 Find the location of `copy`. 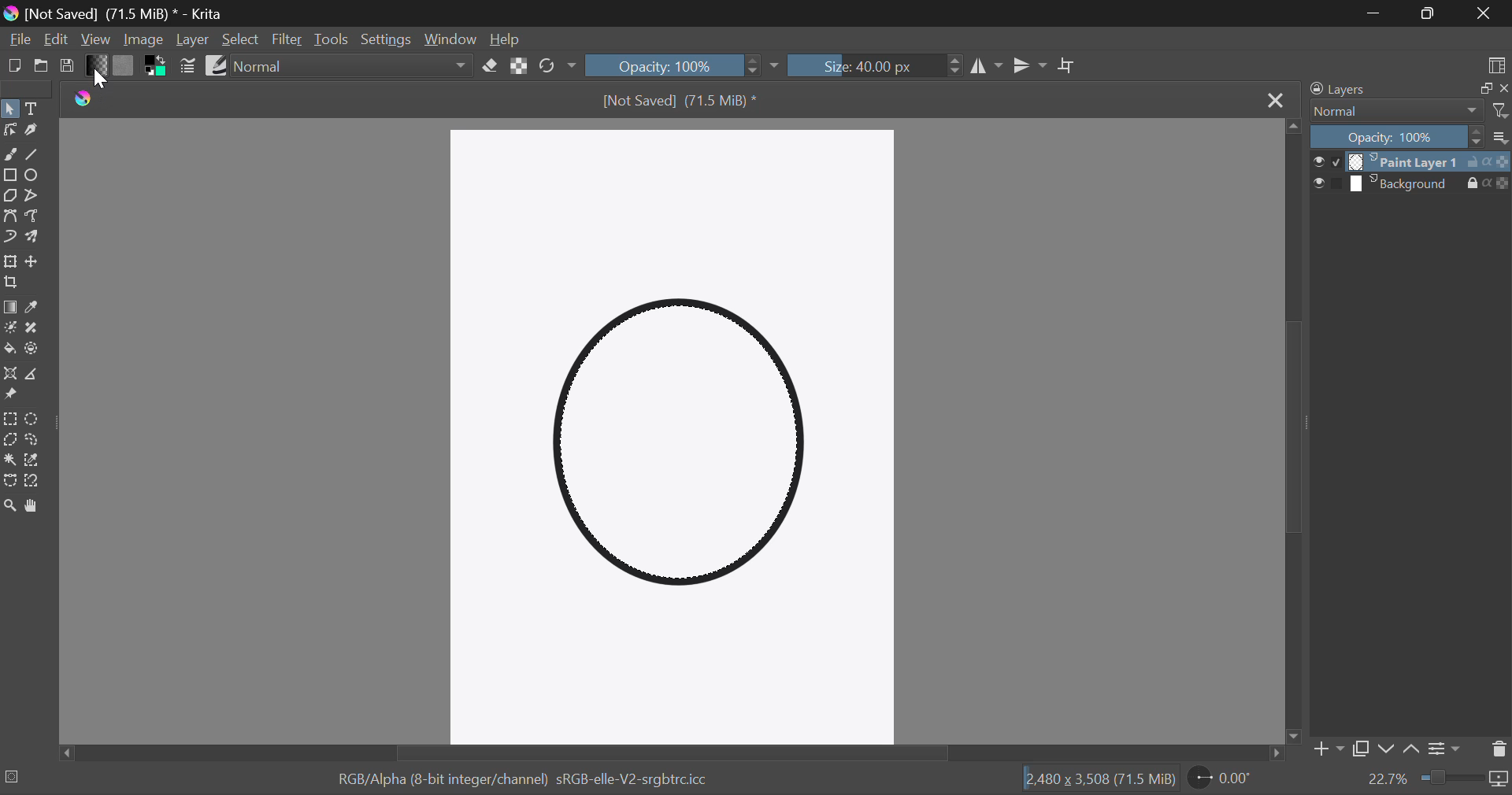

copy is located at coordinates (1485, 87).